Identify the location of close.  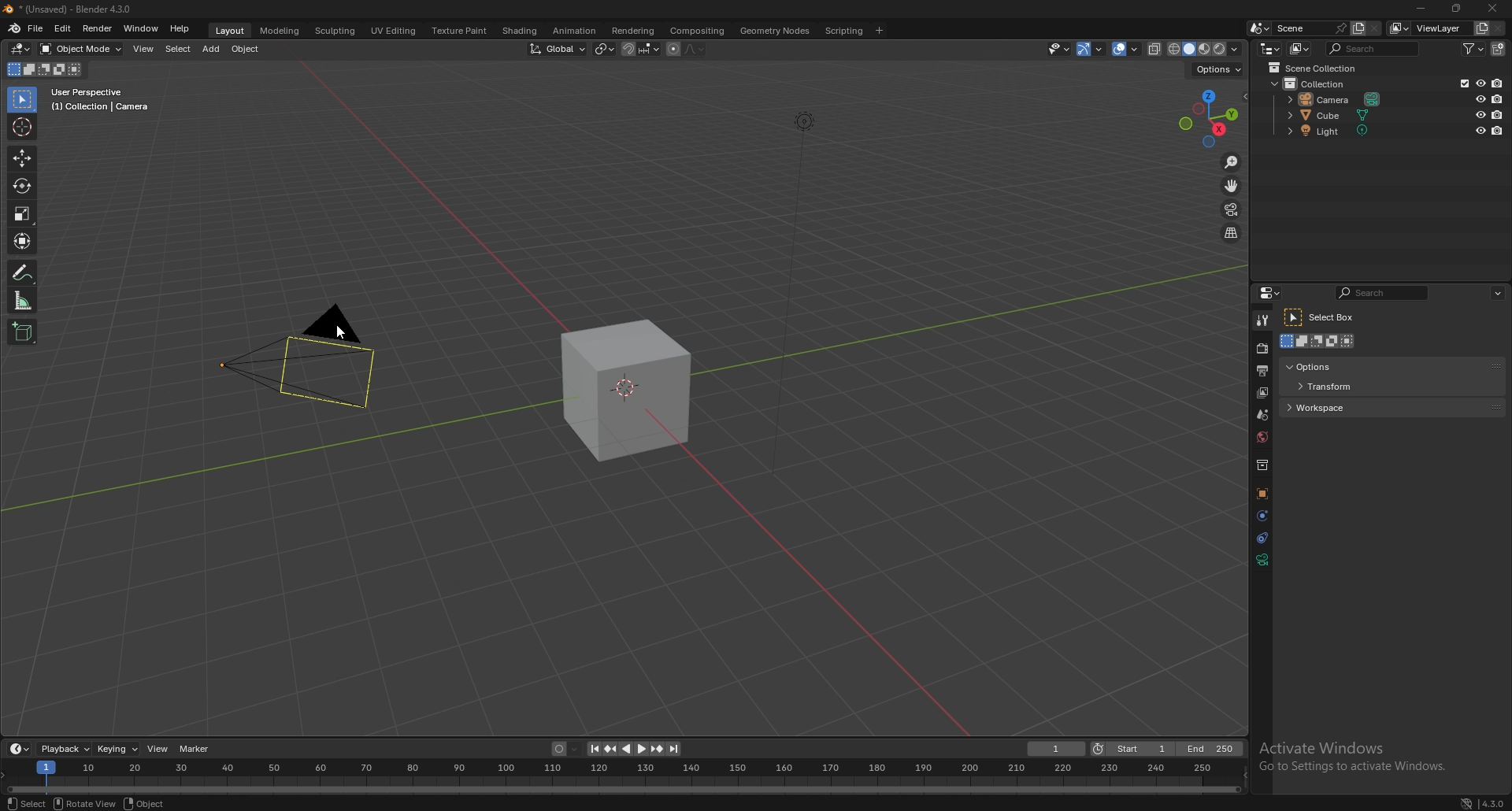
(1494, 9).